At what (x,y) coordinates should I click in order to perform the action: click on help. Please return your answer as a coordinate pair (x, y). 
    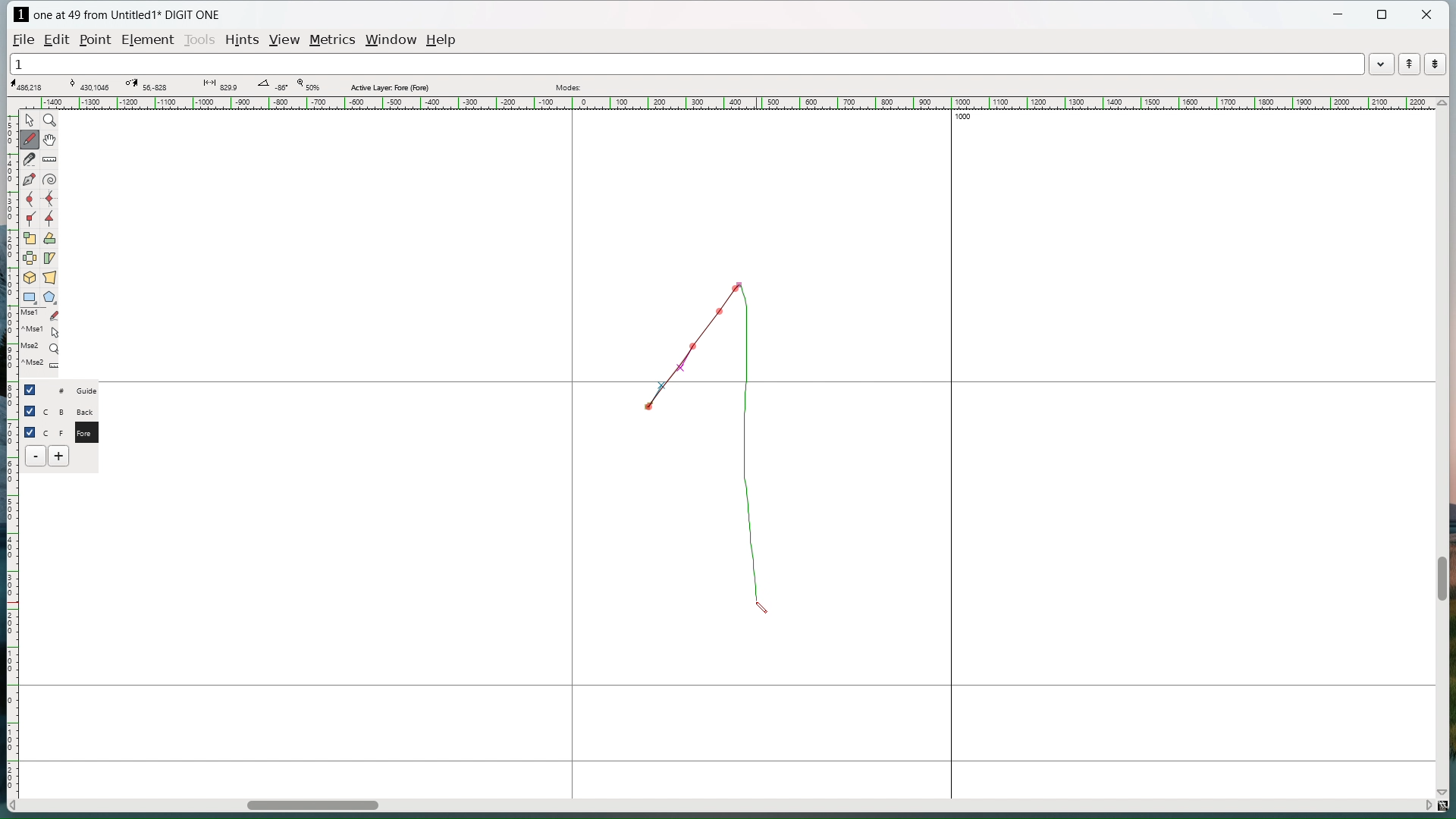
    Looking at the image, I should click on (442, 40).